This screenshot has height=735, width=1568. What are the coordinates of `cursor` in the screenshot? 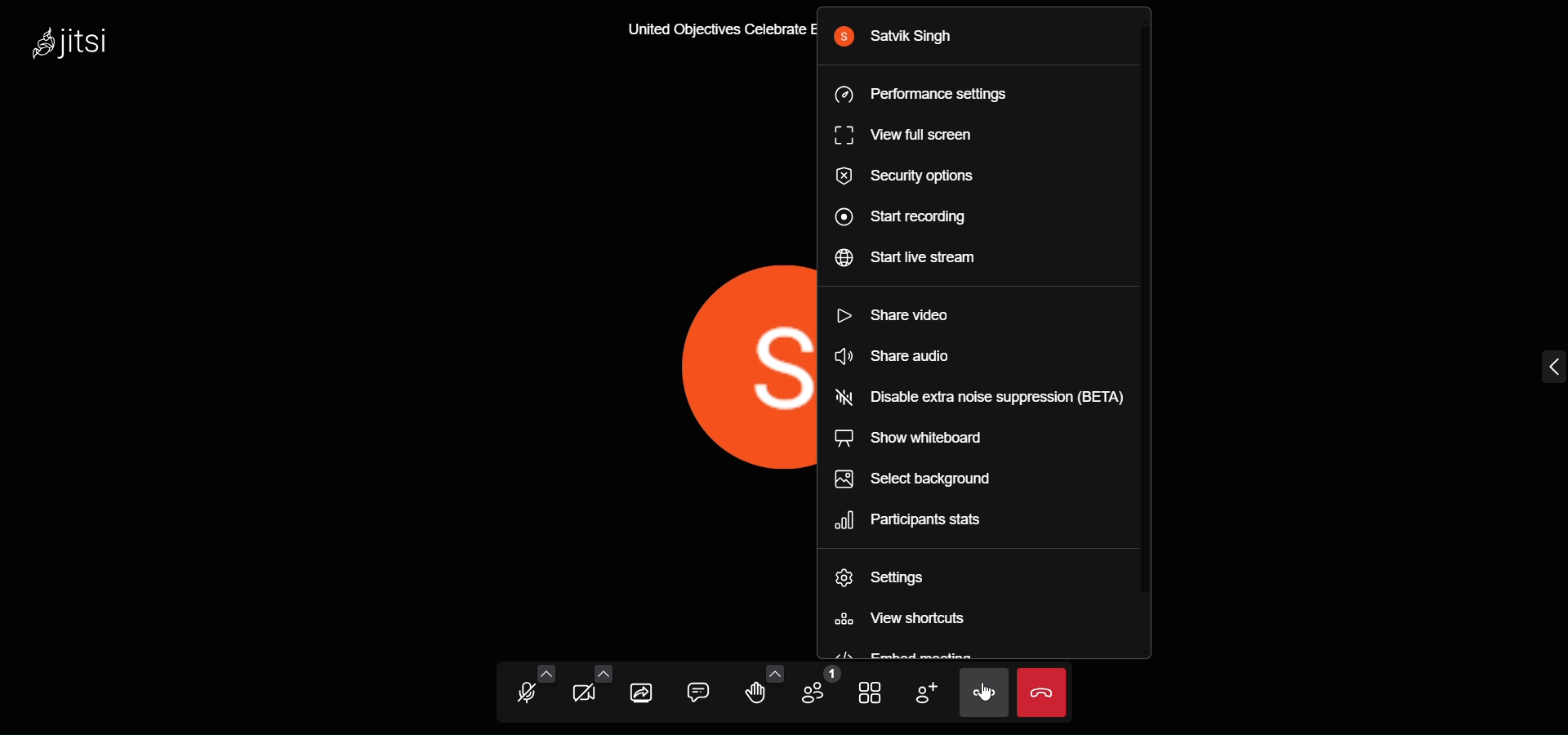 It's located at (975, 703).